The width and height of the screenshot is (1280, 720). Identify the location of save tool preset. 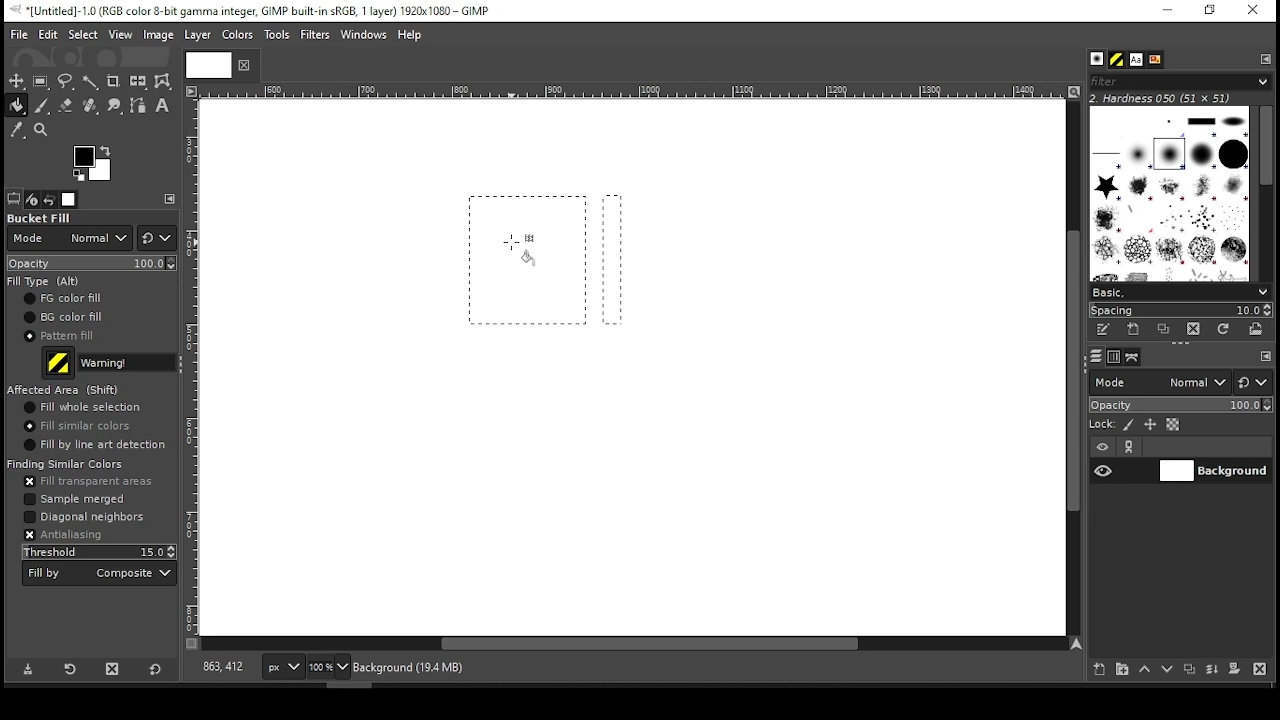
(30, 668).